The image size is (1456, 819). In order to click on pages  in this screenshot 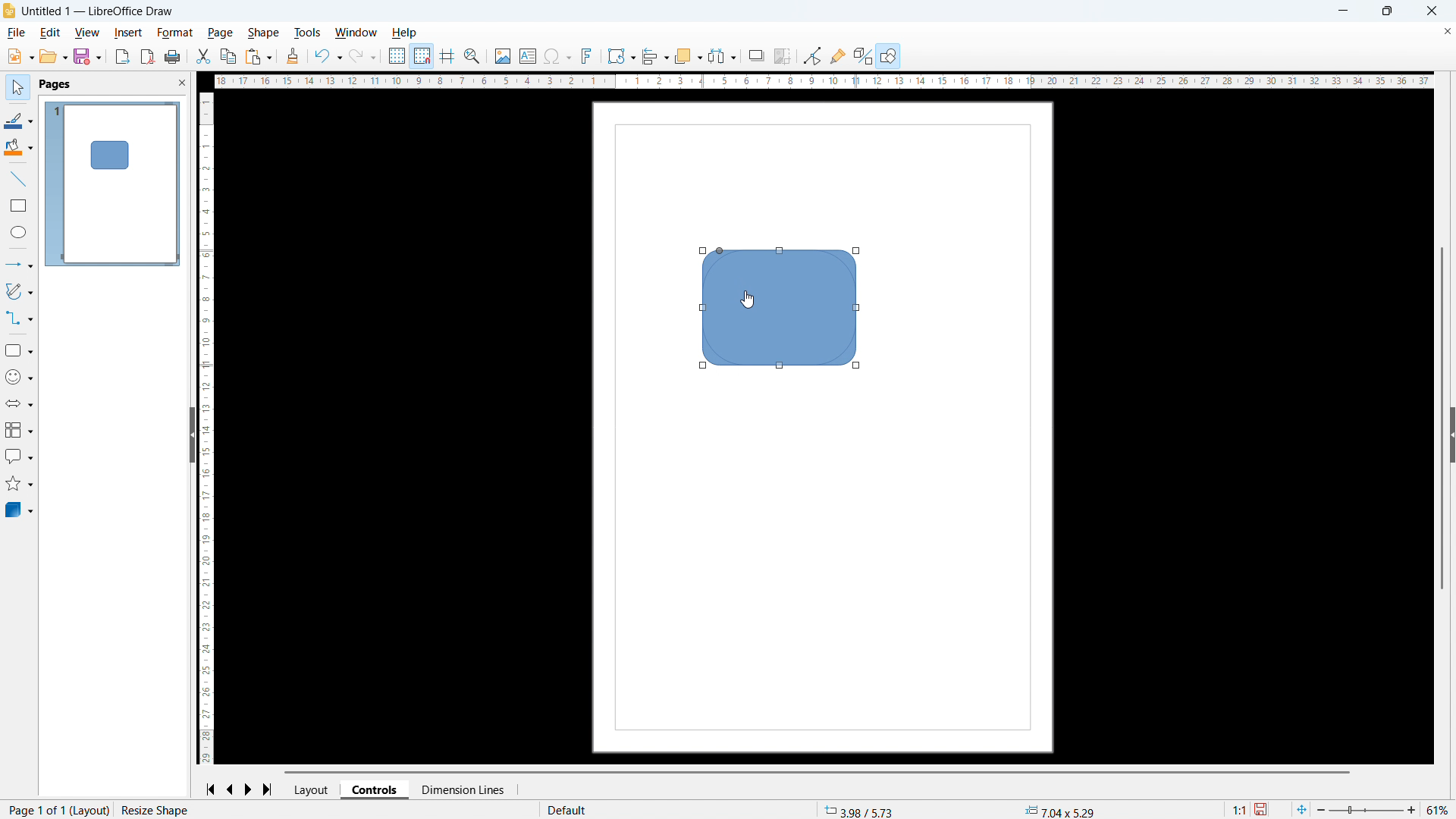, I will do `click(54, 85)`.